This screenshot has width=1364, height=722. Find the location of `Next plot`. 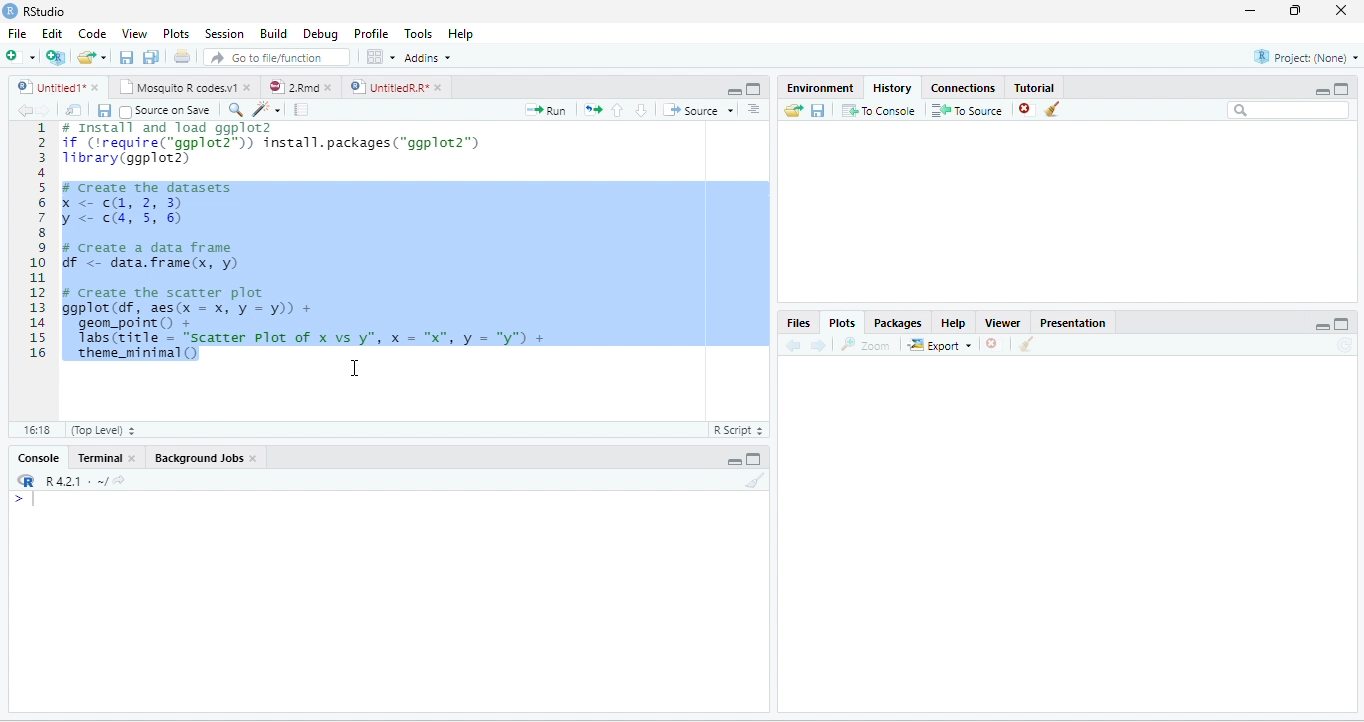

Next plot is located at coordinates (818, 345).